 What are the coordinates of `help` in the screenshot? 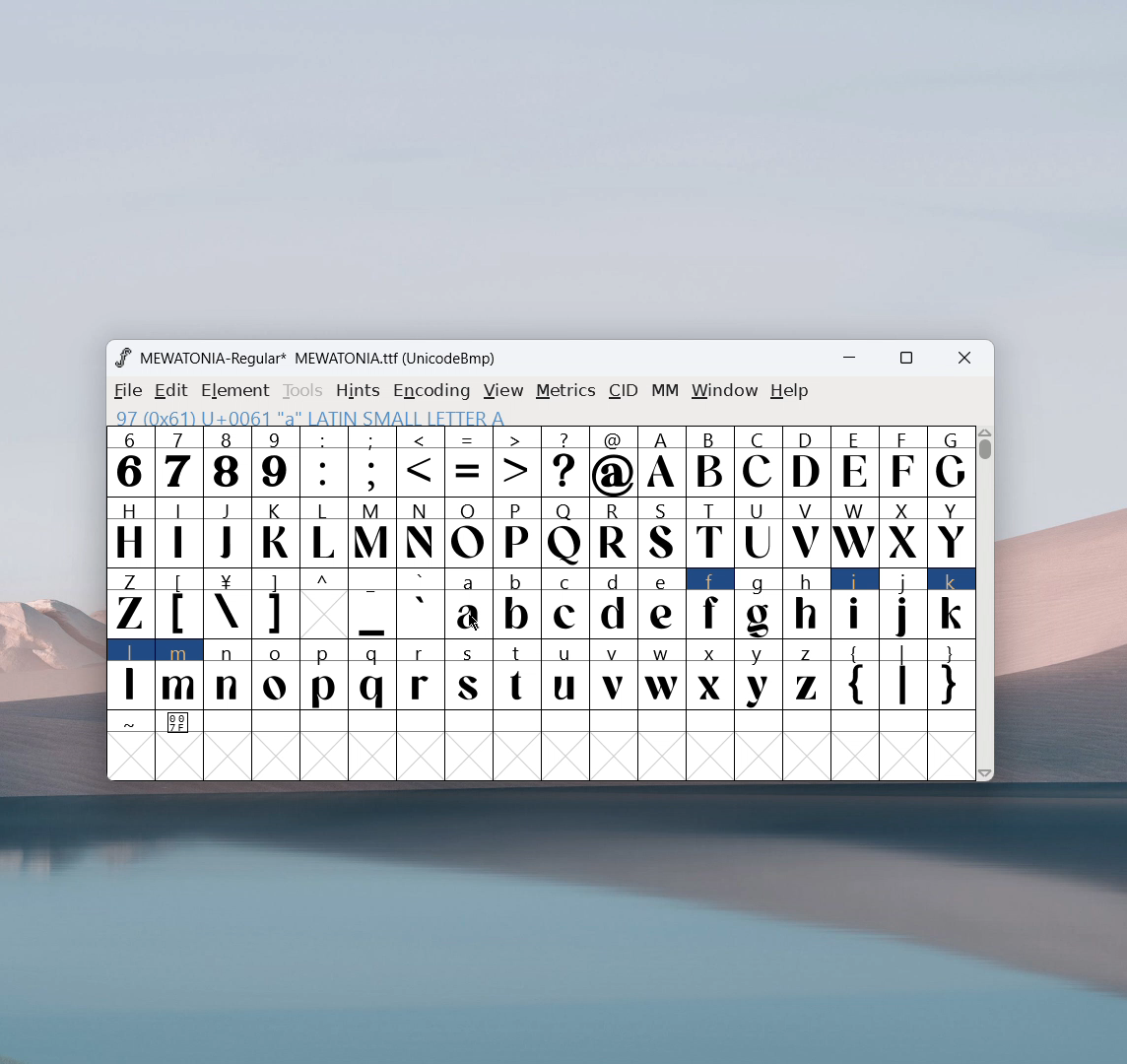 It's located at (790, 391).